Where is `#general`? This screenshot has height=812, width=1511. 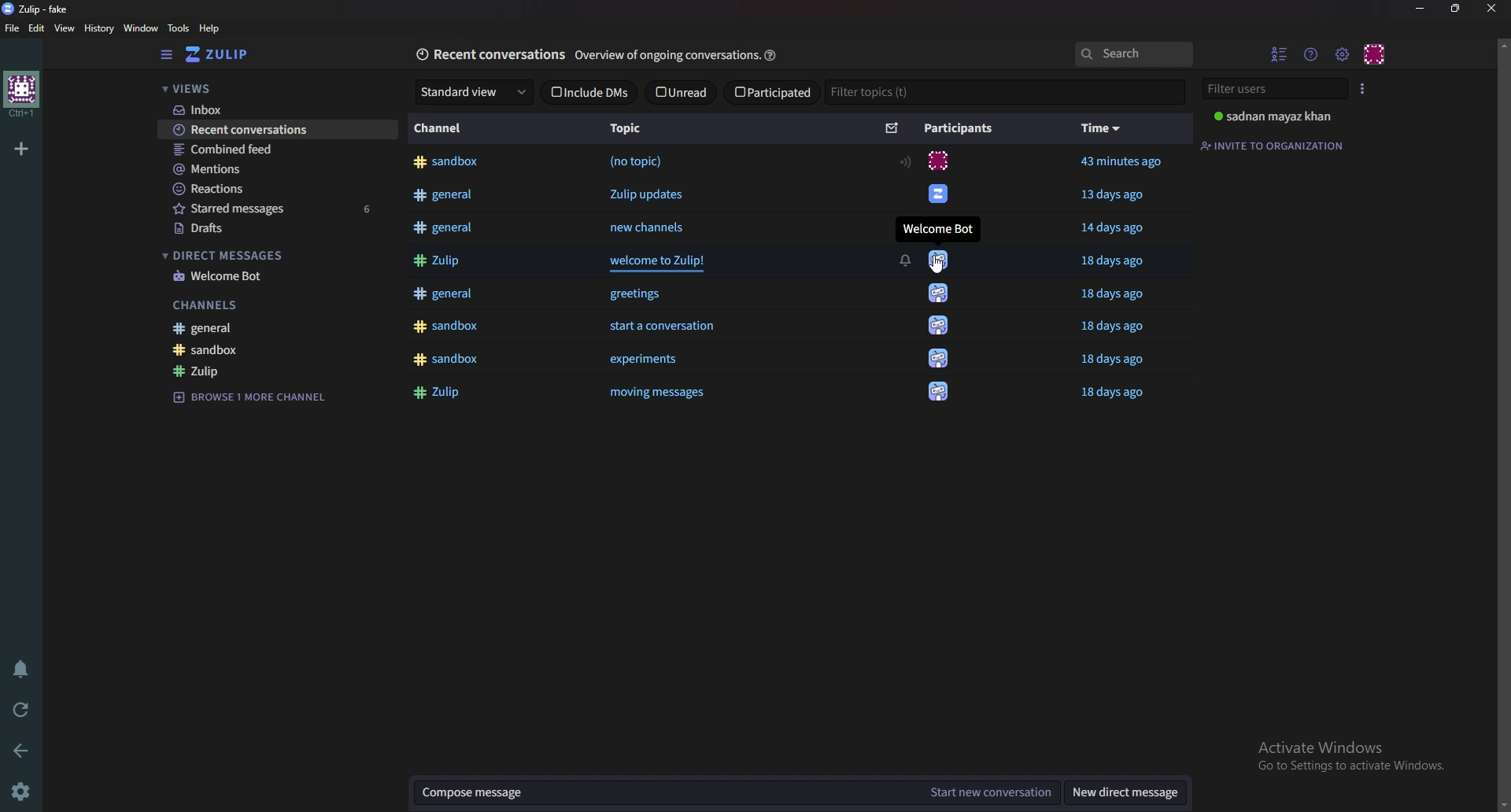 #general is located at coordinates (443, 227).